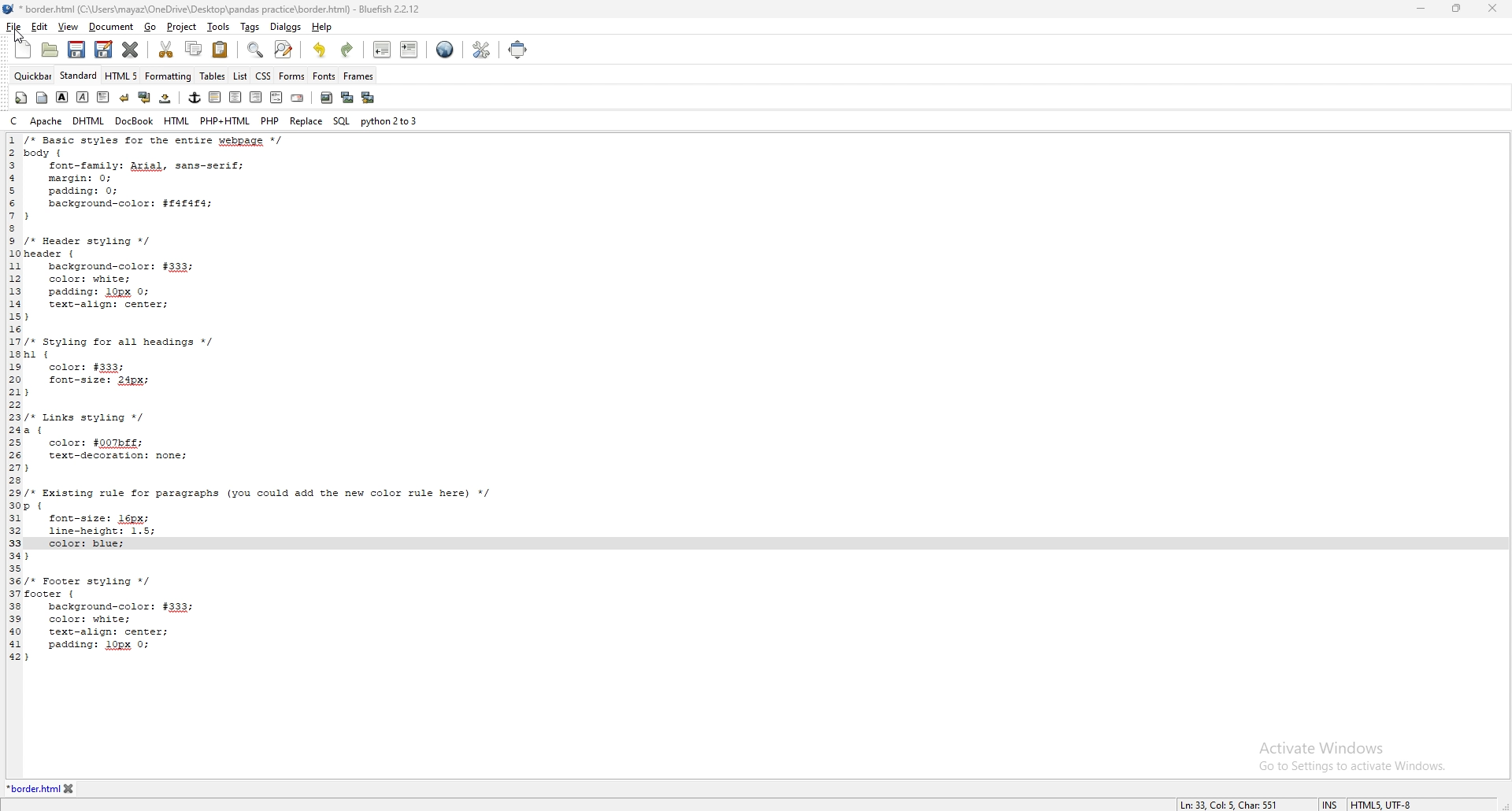 The width and height of the screenshot is (1512, 811). I want to click on italic, so click(82, 97).